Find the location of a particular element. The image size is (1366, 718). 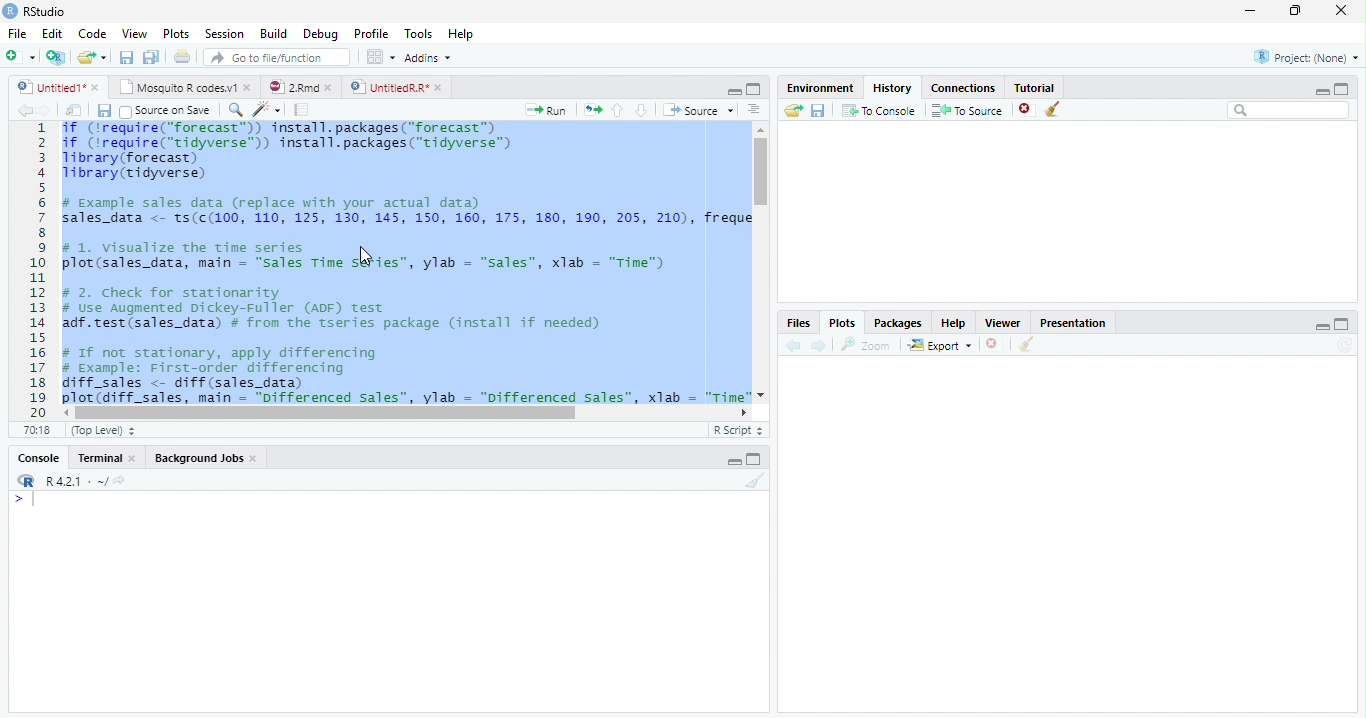

Minimize is located at coordinates (1252, 10).